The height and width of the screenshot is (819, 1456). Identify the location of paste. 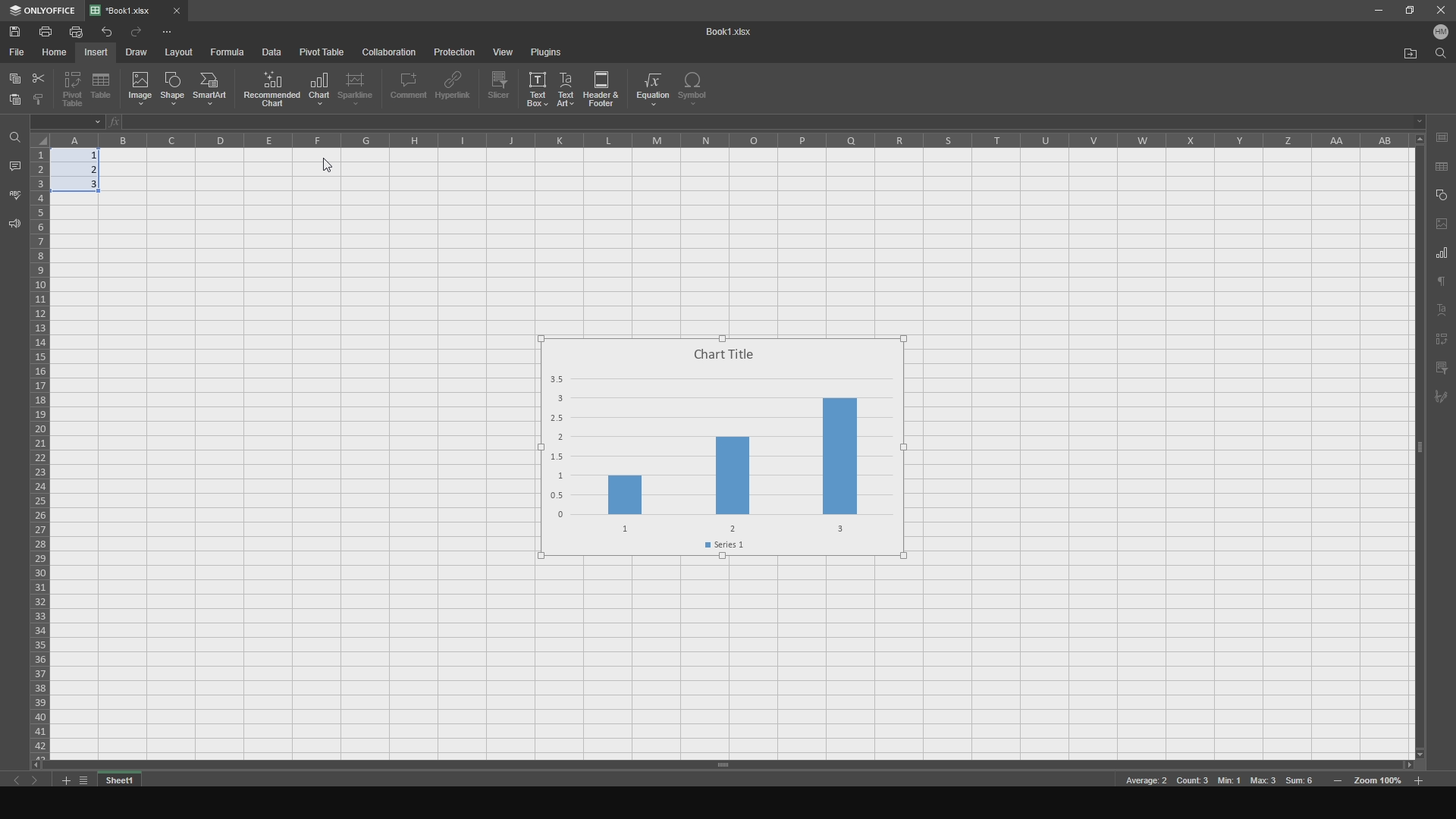
(12, 104).